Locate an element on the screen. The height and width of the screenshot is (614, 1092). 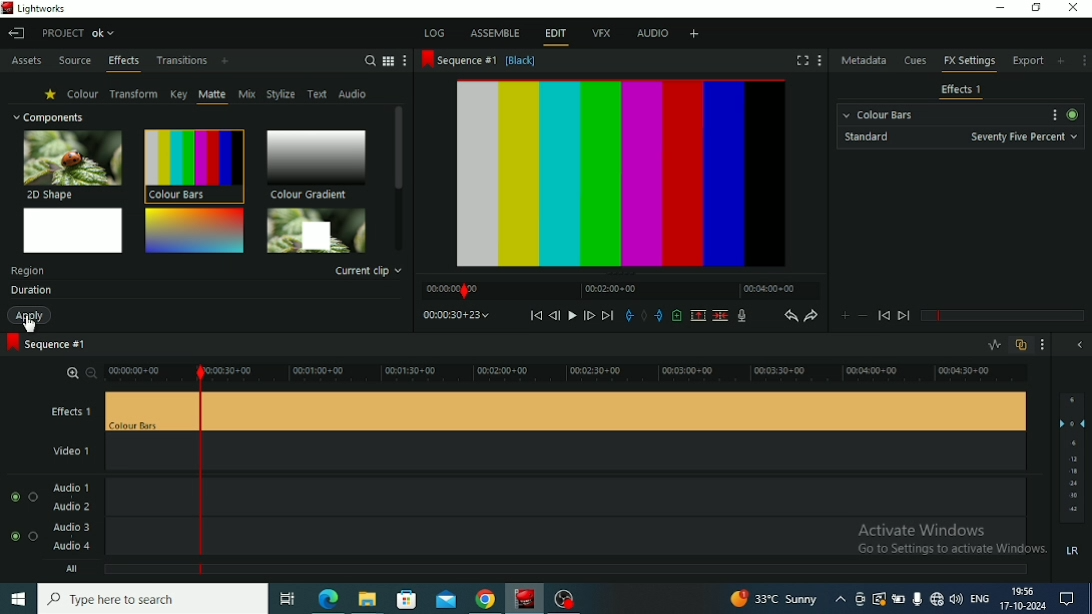
effects 1 is located at coordinates (627, 411).